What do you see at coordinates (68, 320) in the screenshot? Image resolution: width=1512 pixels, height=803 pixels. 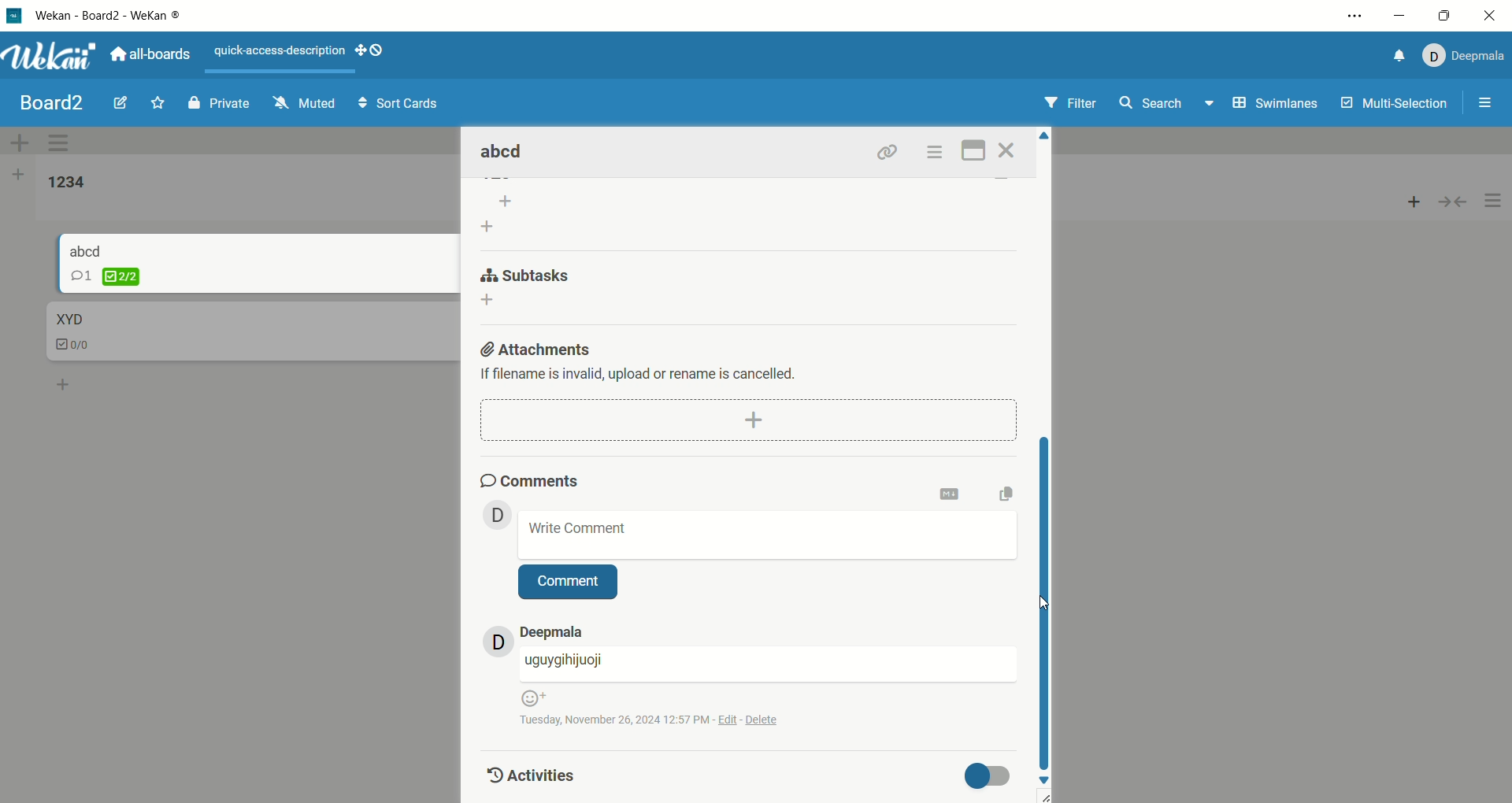 I see `card title` at bounding box center [68, 320].